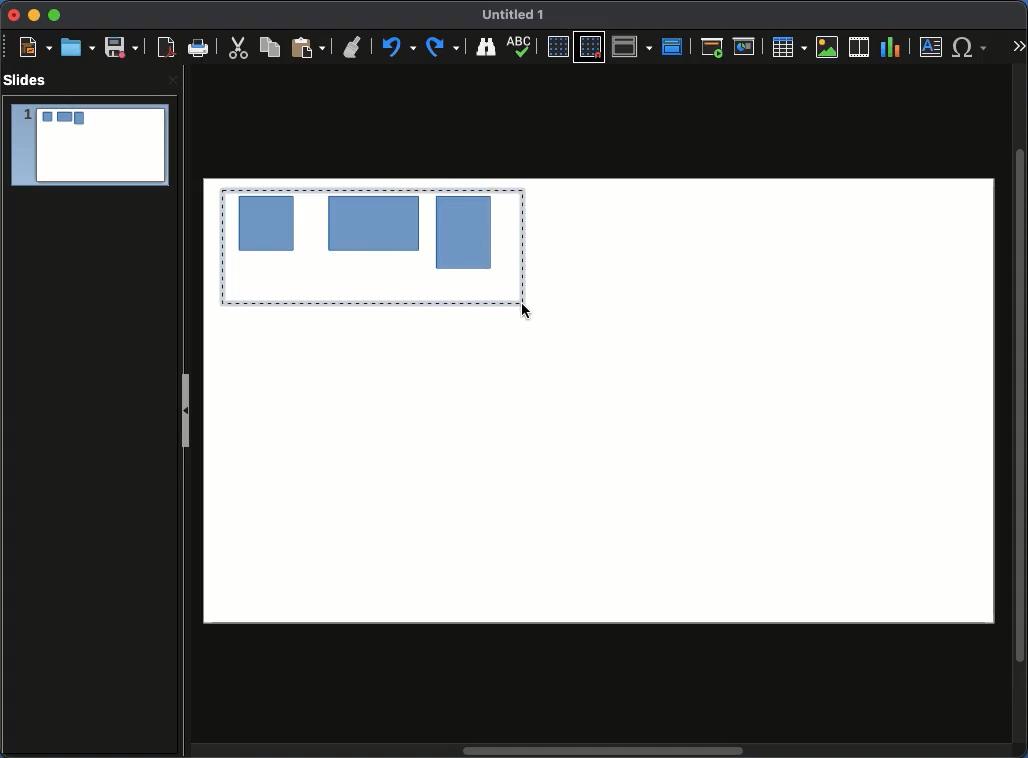  Describe the element at coordinates (89, 146) in the screenshot. I see `Slide` at that location.